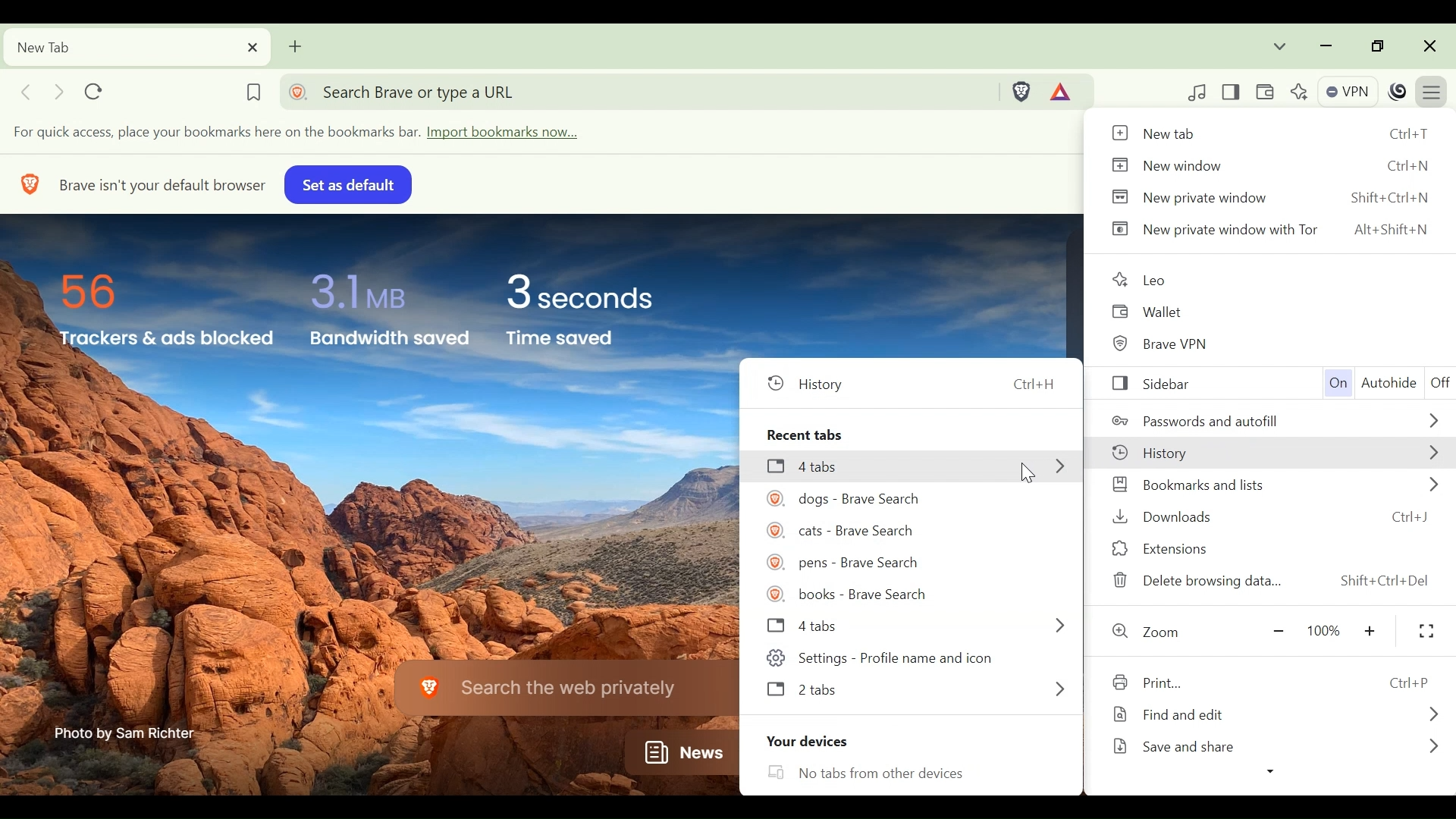 The height and width of the screenshot is (819, 1456). I want to click on MORE, so click(1055, 467).